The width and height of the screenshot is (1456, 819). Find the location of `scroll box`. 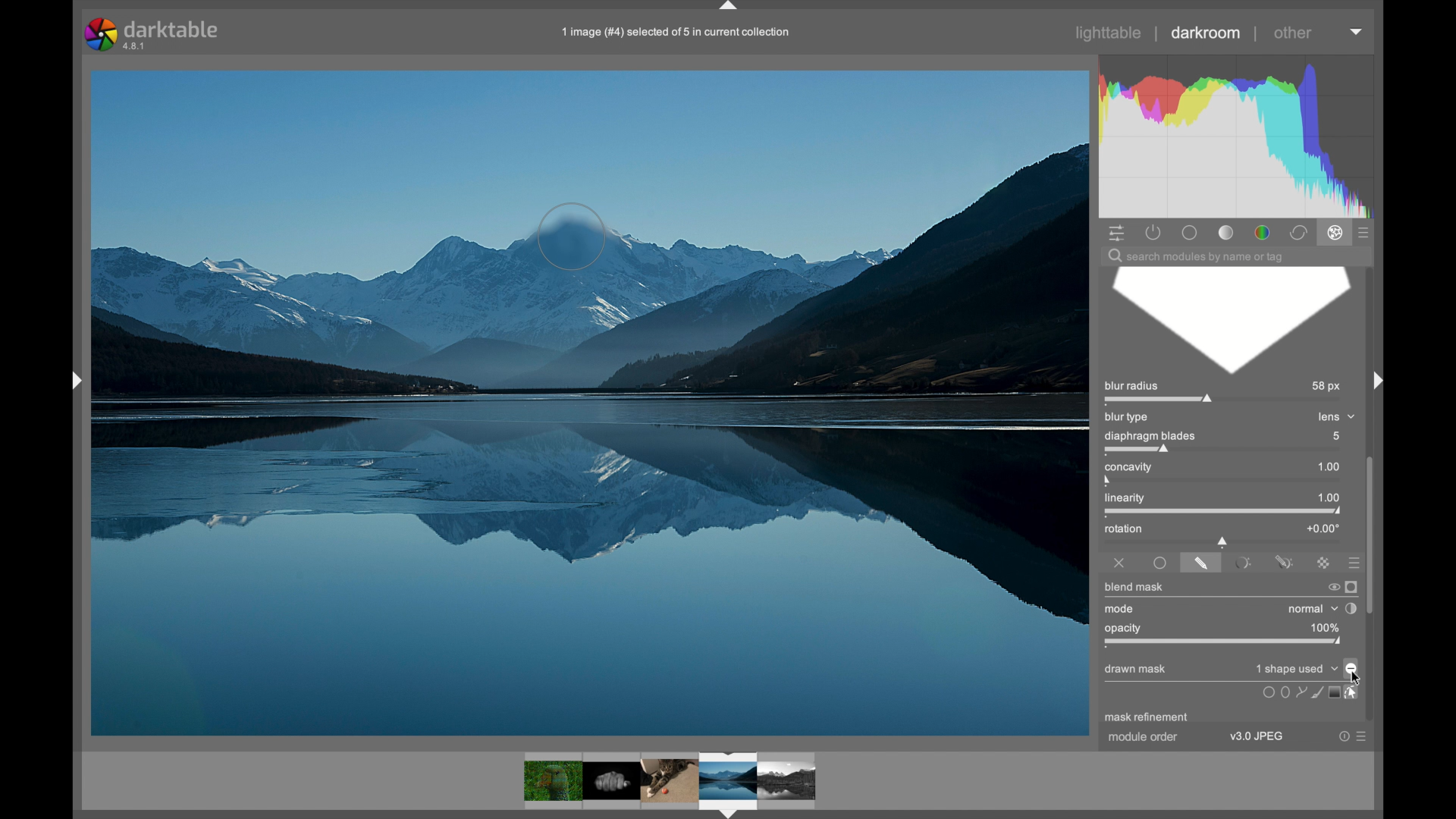

scroll box is located at coordinates (1373, 534).